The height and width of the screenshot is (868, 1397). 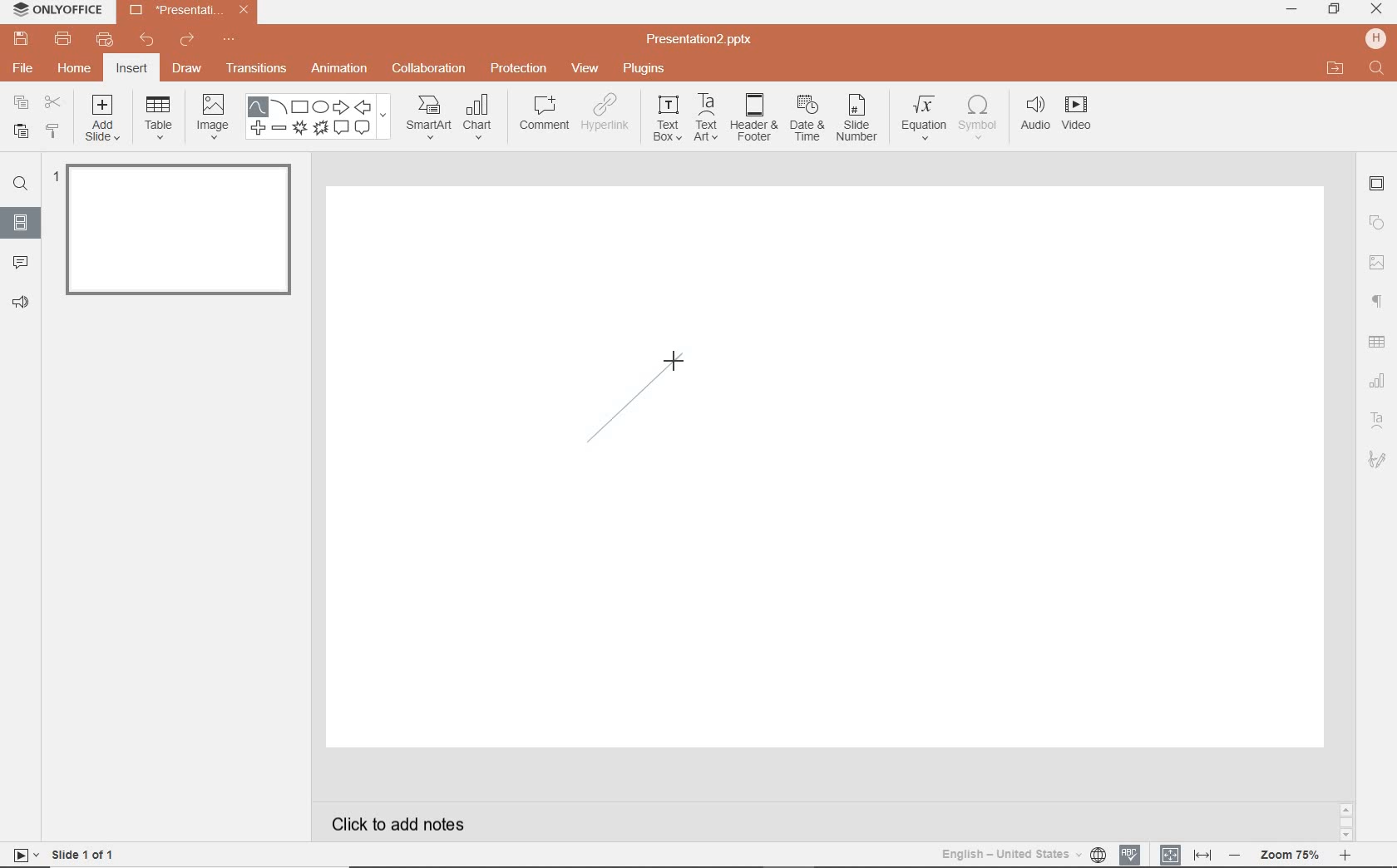 I want to click on TRANSITIONS, so click(x=259, y=70).